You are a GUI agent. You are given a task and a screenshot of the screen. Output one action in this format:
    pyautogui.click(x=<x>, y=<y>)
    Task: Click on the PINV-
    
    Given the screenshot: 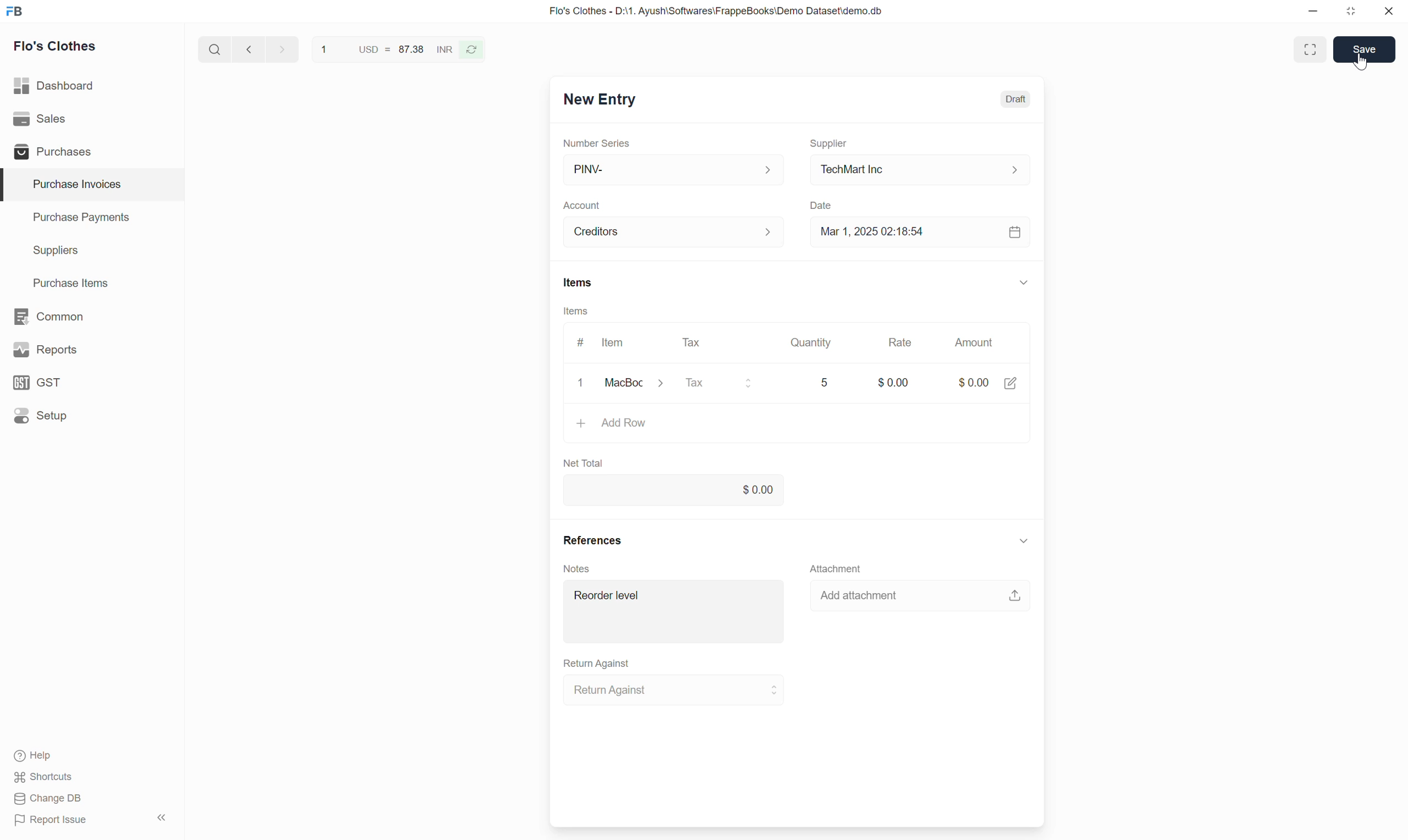 What is the action you would take?
    pyautogui.click(x=673, y=170)
    